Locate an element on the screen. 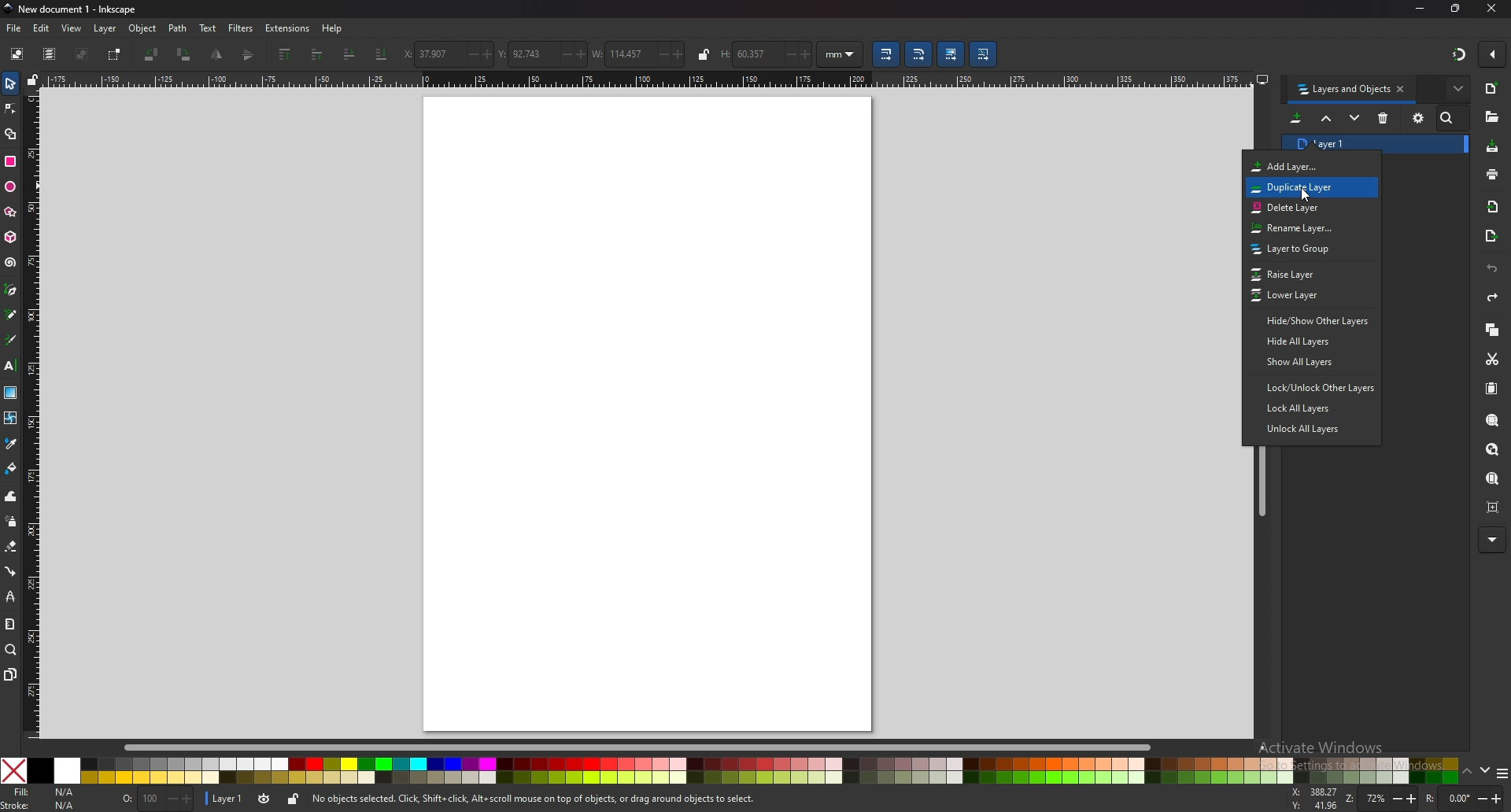 This screenshot has width=1511, height=812. layer to group is located at coordinates (1304, 248).